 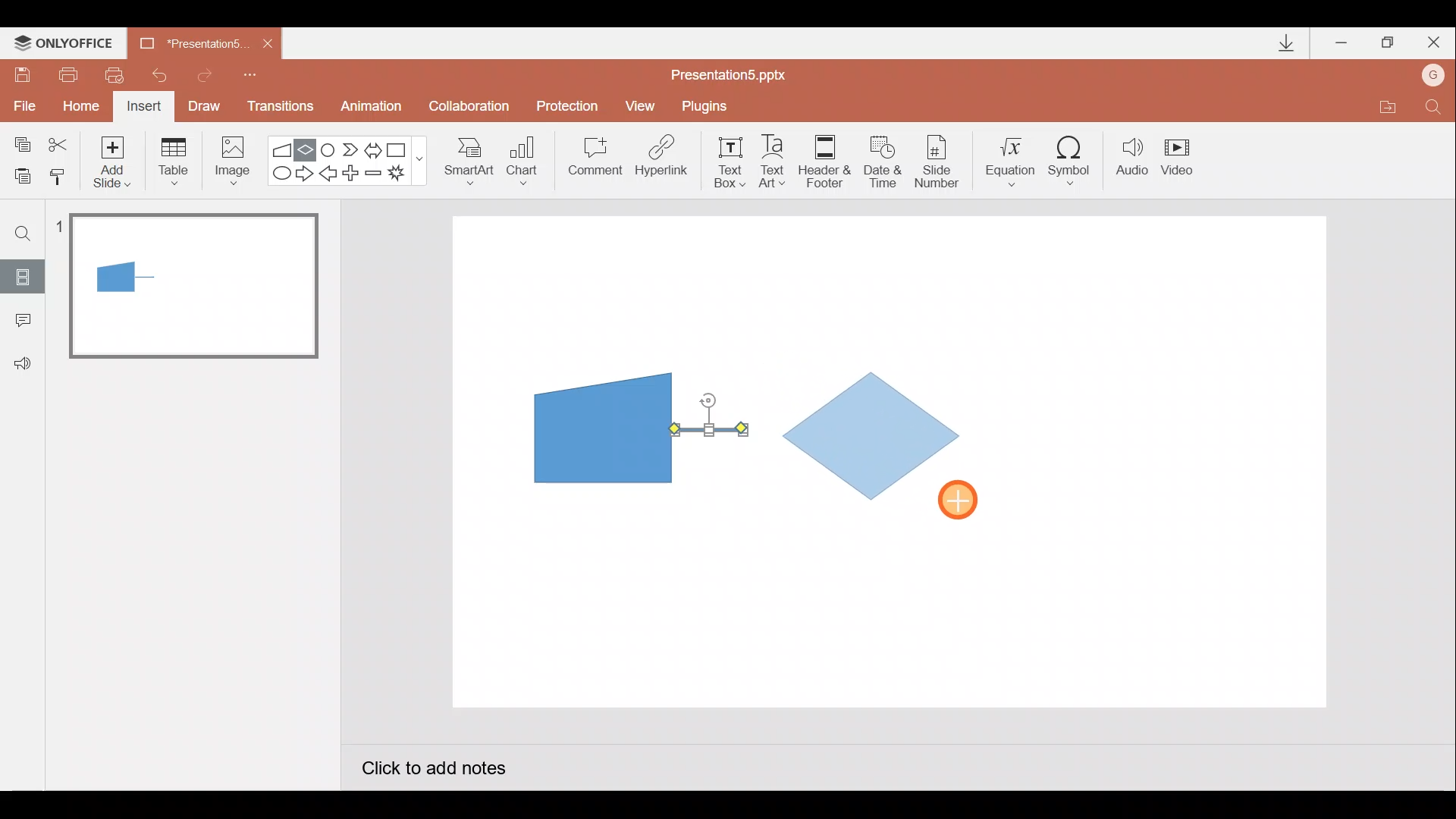 What do you see at coordinates (600, 426) in the screenshot?
I see `Manual input flow chart ` at bounding box center [600, 426].